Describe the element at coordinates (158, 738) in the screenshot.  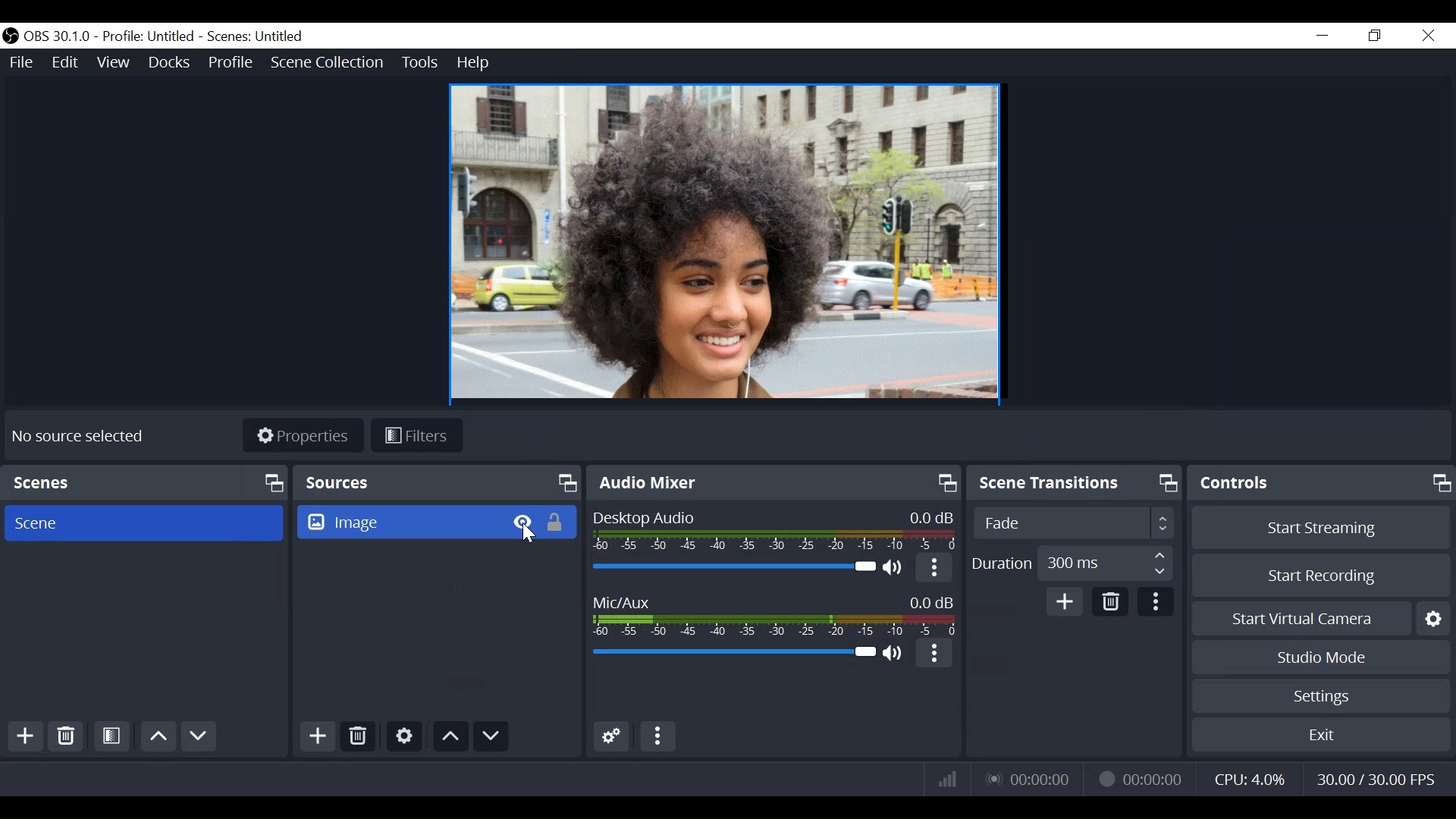
I see `Move up` at that location.